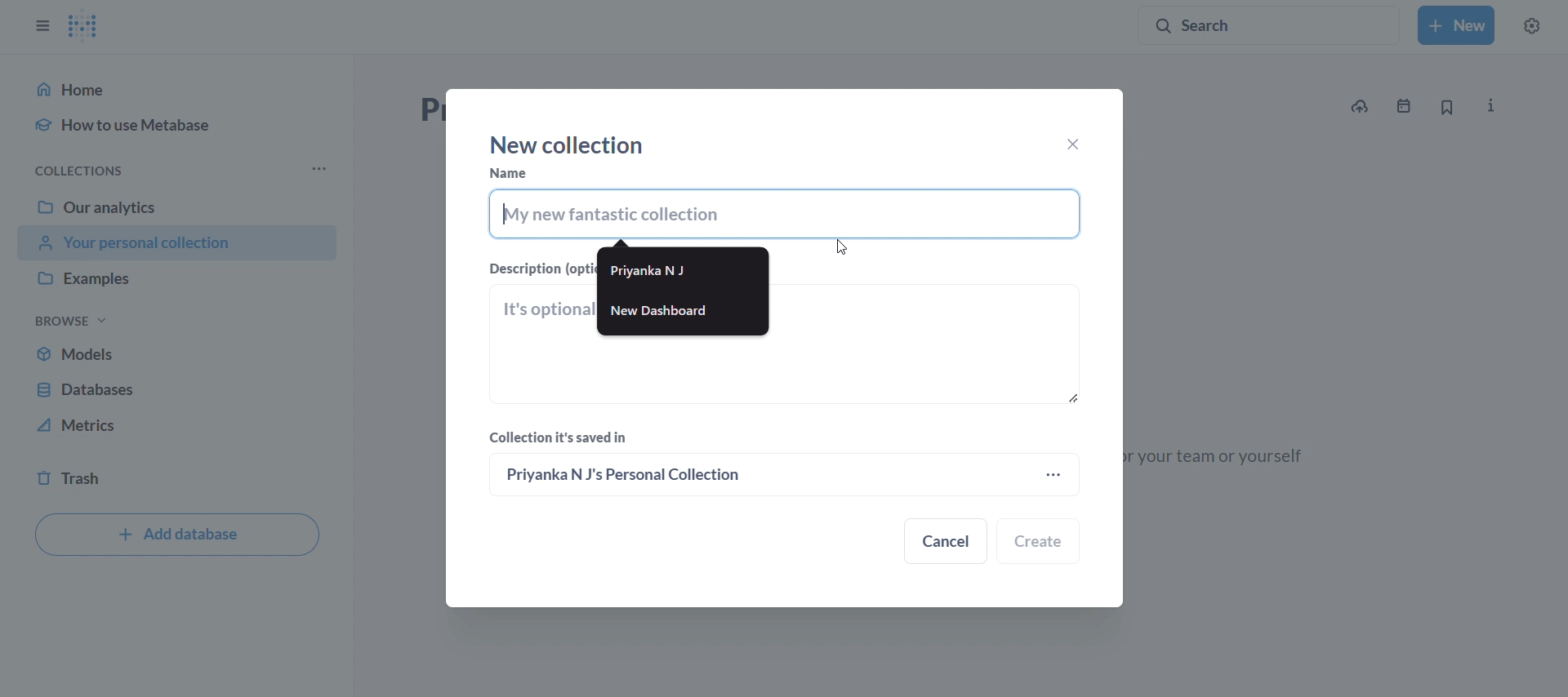  I want to click on models, so click(176, 353).